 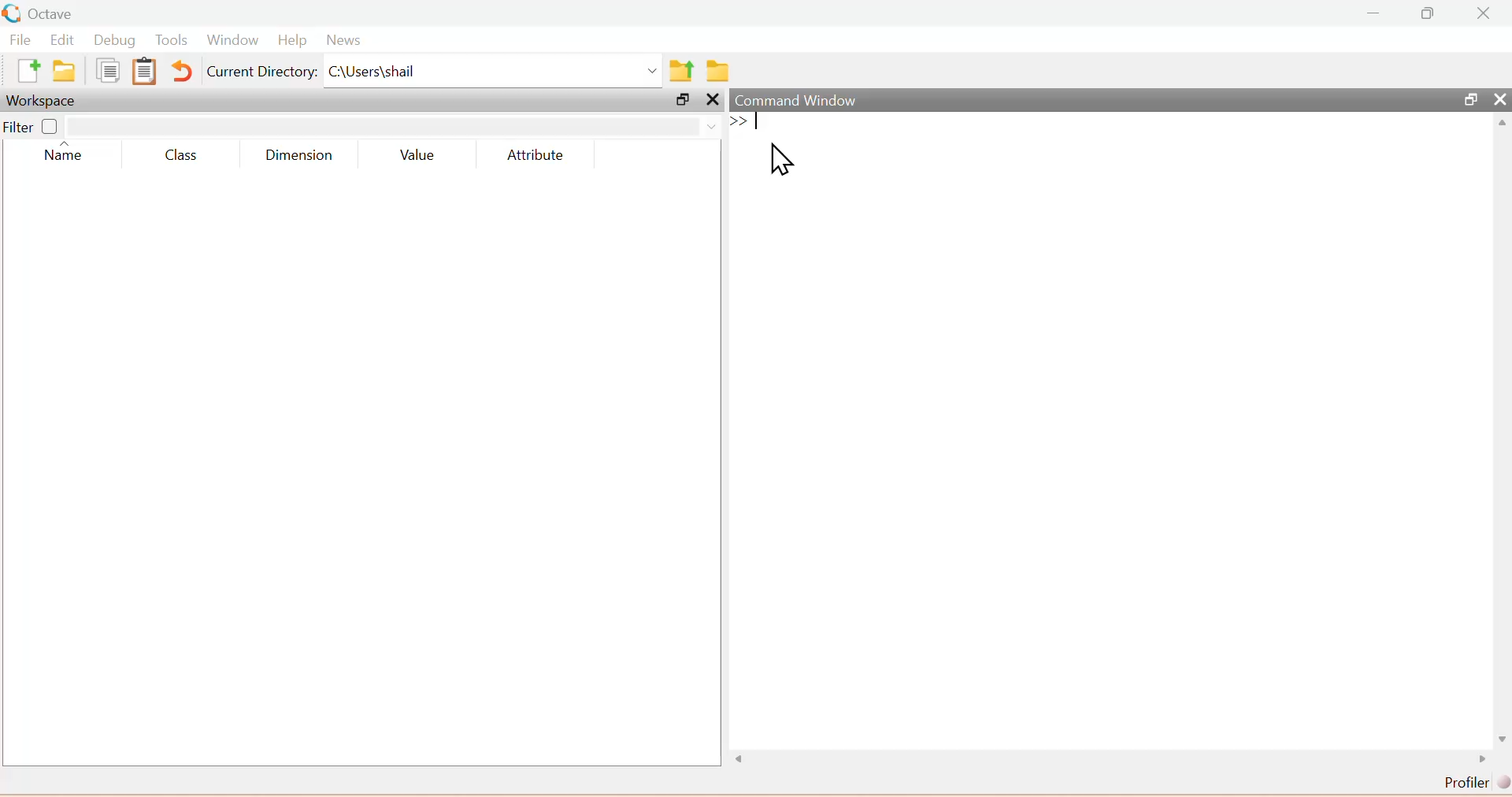 I want to click on scroll up, so click(x=1500, y=124).